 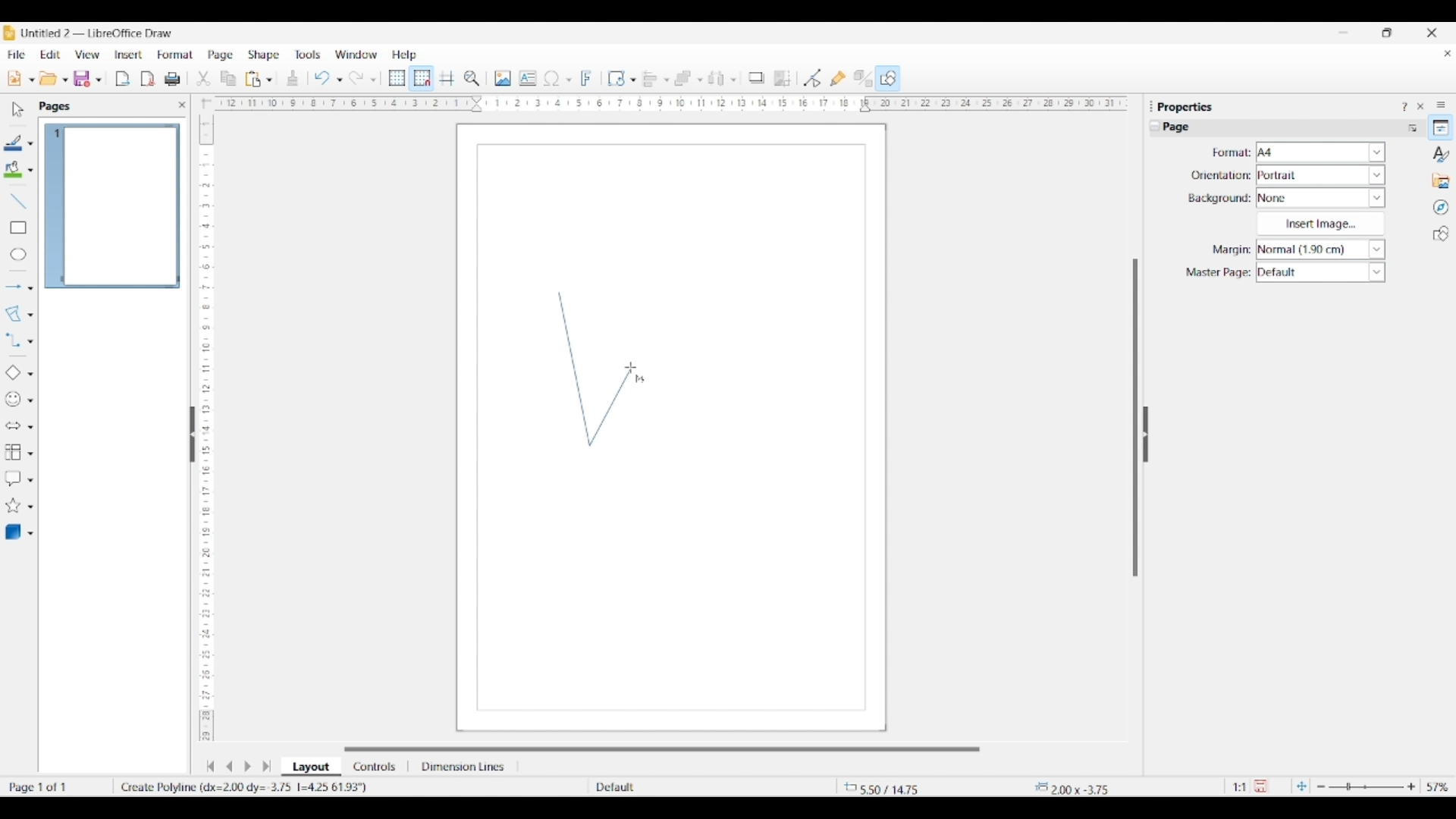 What do you see at coordinates (667, 80) in the screenshot?
I see `Align object options` at bounding box center [667, 80].